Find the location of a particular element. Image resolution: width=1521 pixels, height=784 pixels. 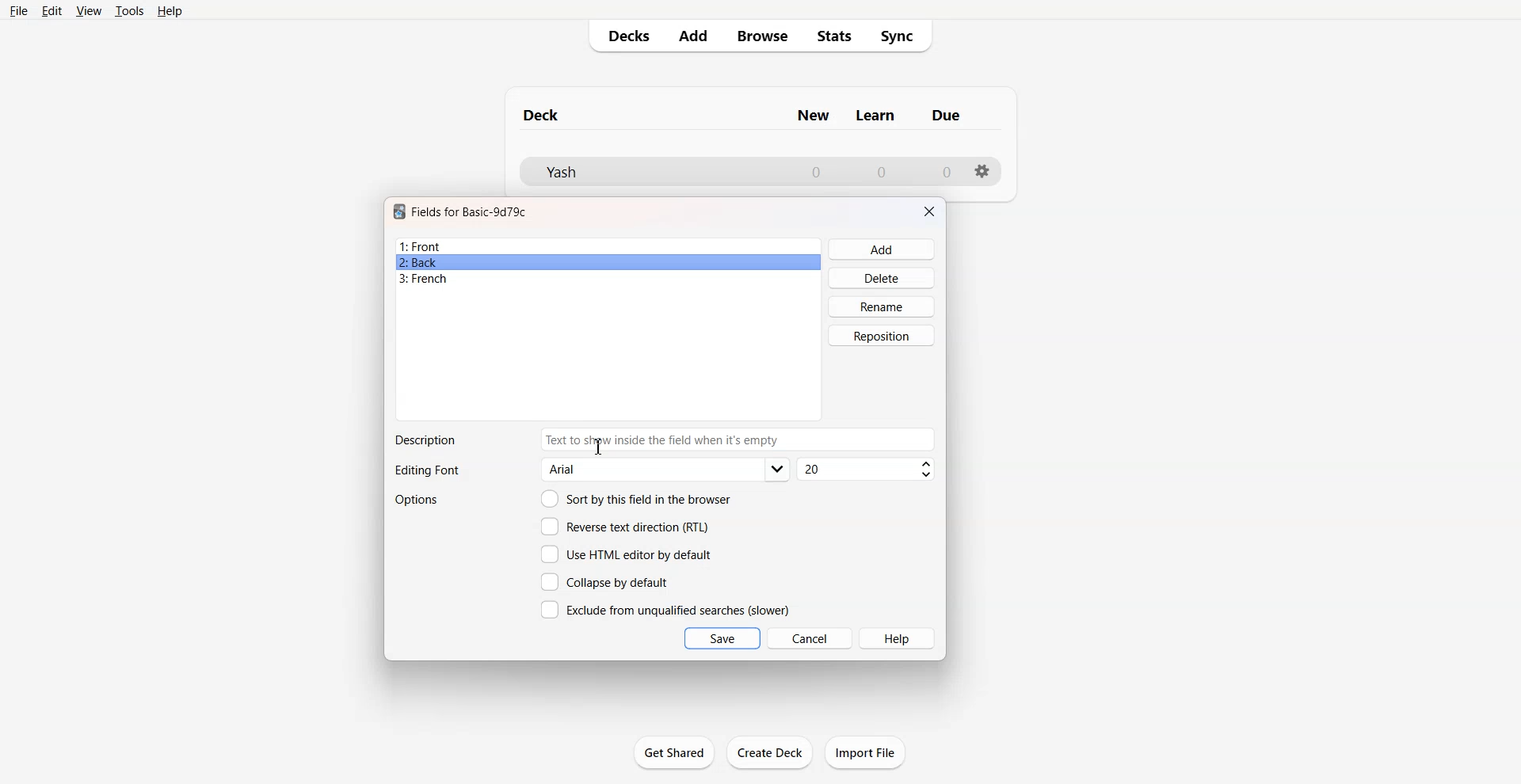

Add is located at coordinates (882, 249).